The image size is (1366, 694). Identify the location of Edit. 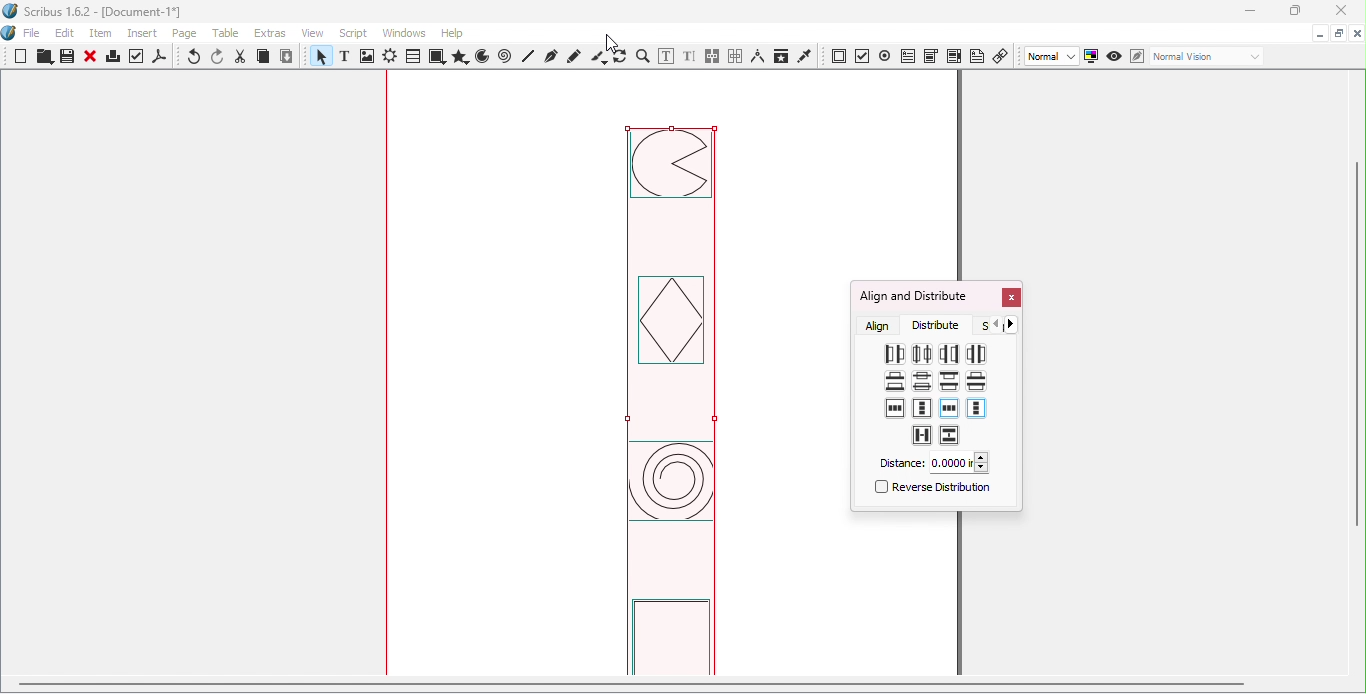
(65, 33).